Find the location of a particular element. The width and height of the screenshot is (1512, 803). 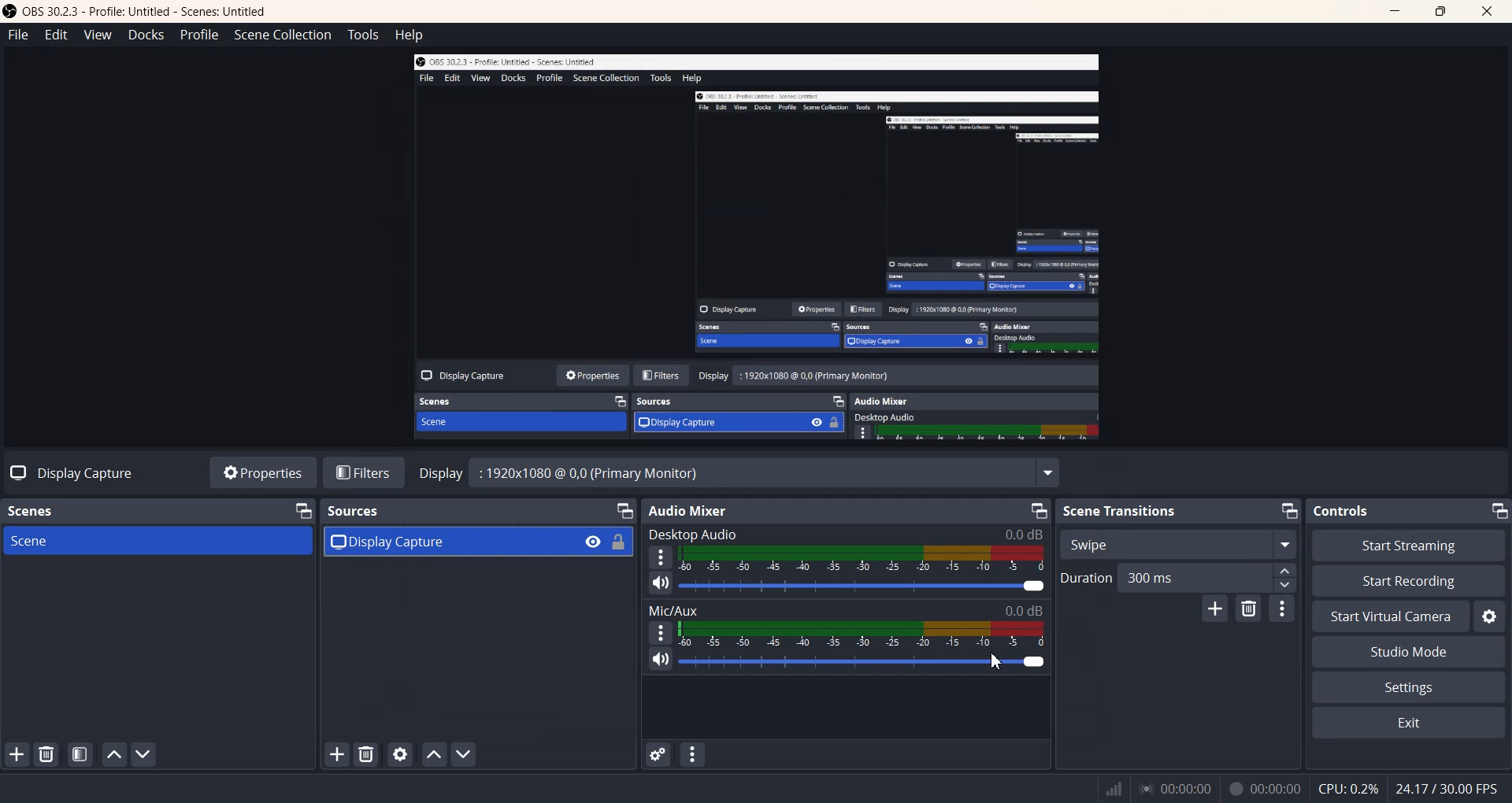

Move Scene Down is located at coordinates (143, 753).